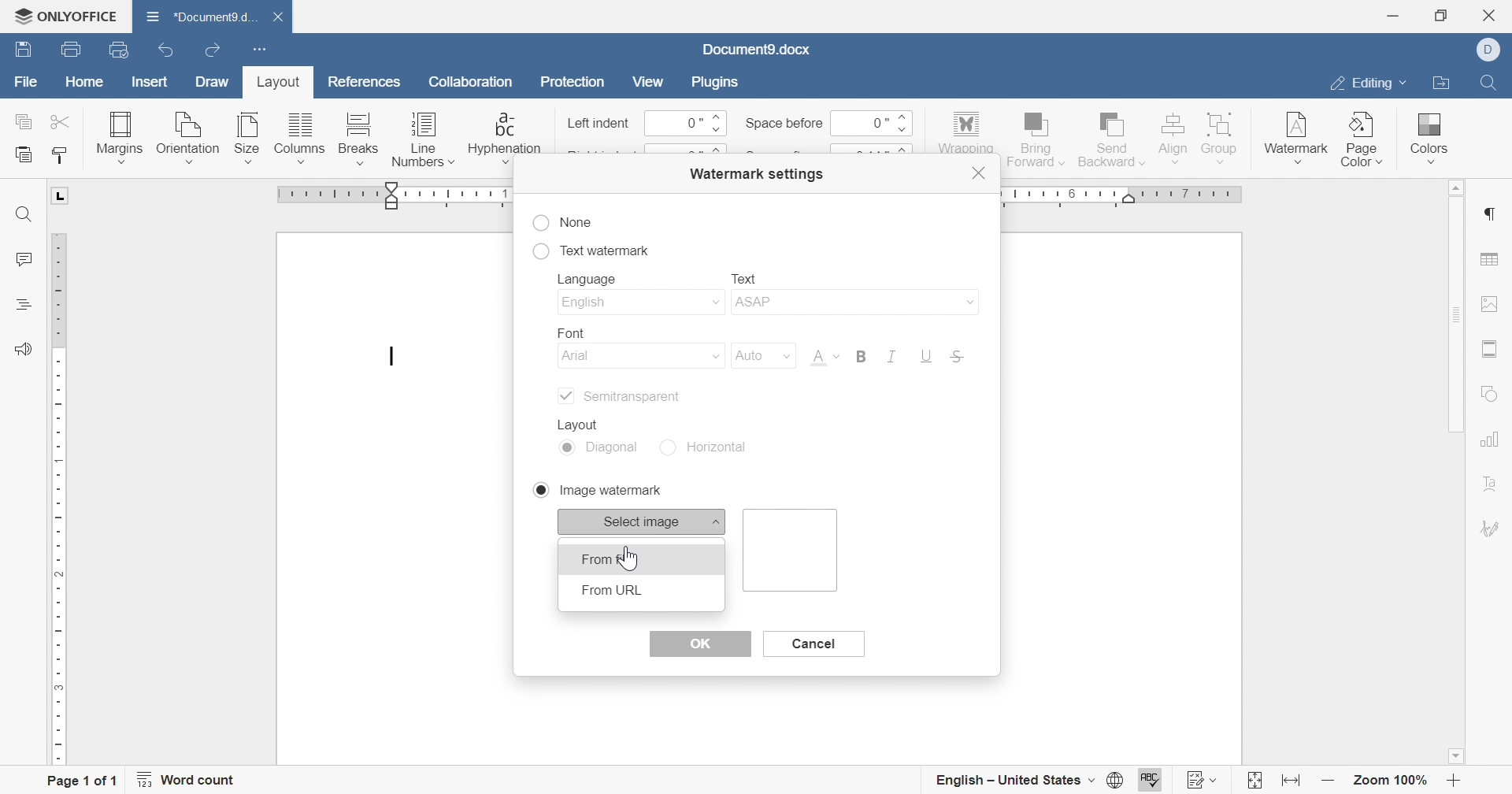 This screenshot has height=794, width=1512. What do you see at coordinates (62, 195) in the screenshot?
I see `L` at bounding box center [62, 195].